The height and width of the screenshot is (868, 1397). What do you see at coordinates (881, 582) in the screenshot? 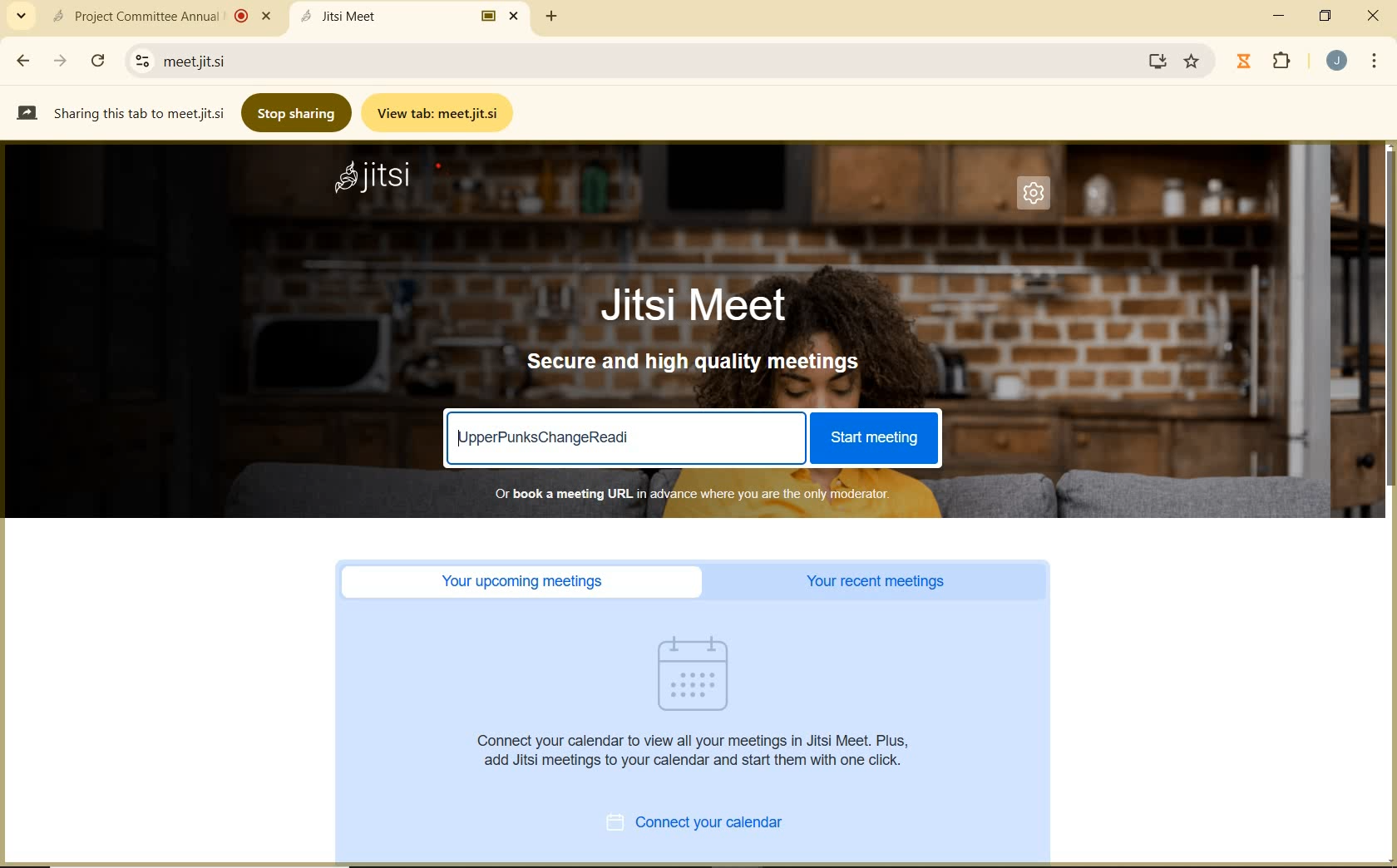
I see `YOUR RECENT MEETINGS` at bounding box center [881, 582].